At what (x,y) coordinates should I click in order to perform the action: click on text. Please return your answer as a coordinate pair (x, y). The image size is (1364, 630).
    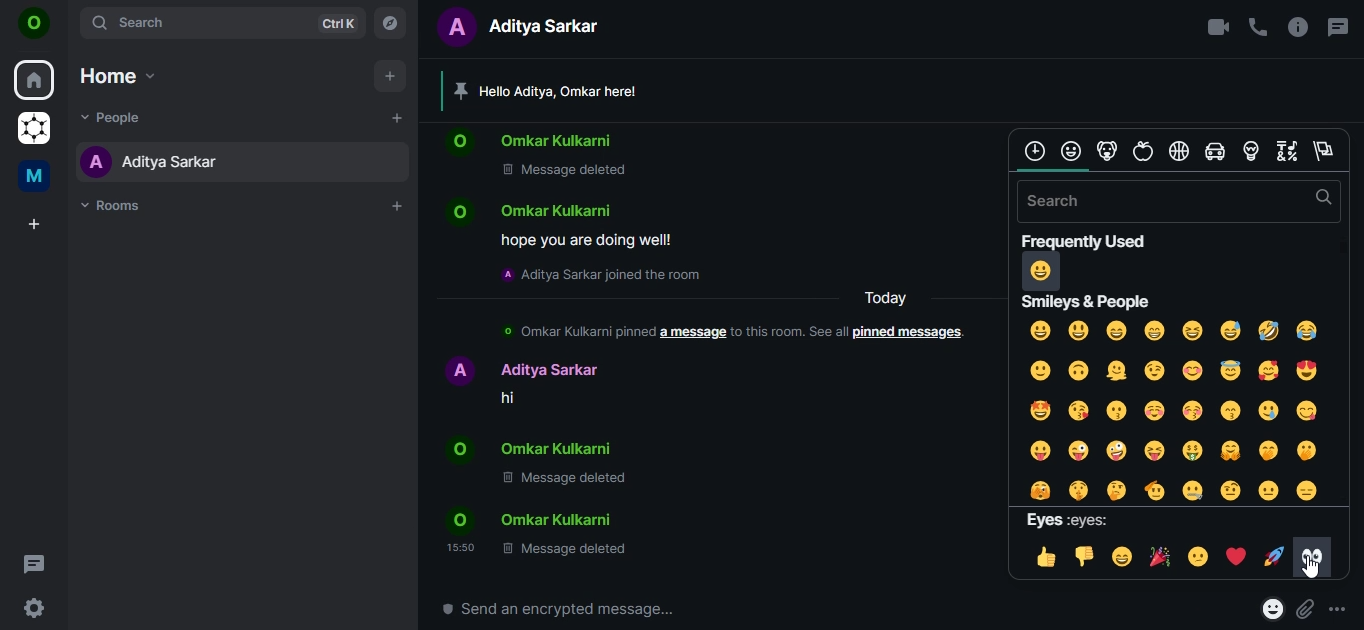
    Looking at the image, I should click on (1086, 301).